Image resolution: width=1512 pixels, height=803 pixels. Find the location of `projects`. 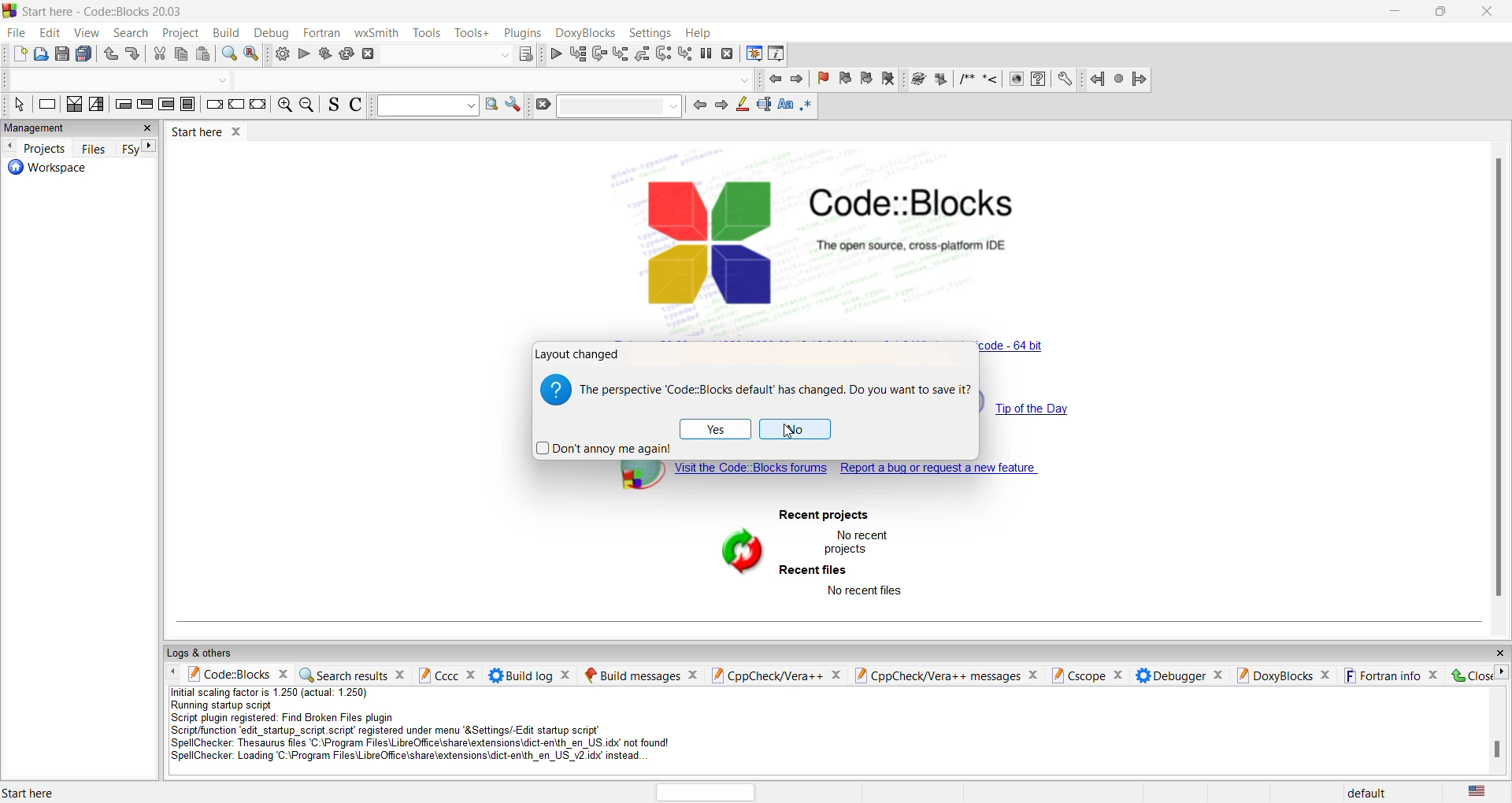

projects is located at coordinates (46, 147).